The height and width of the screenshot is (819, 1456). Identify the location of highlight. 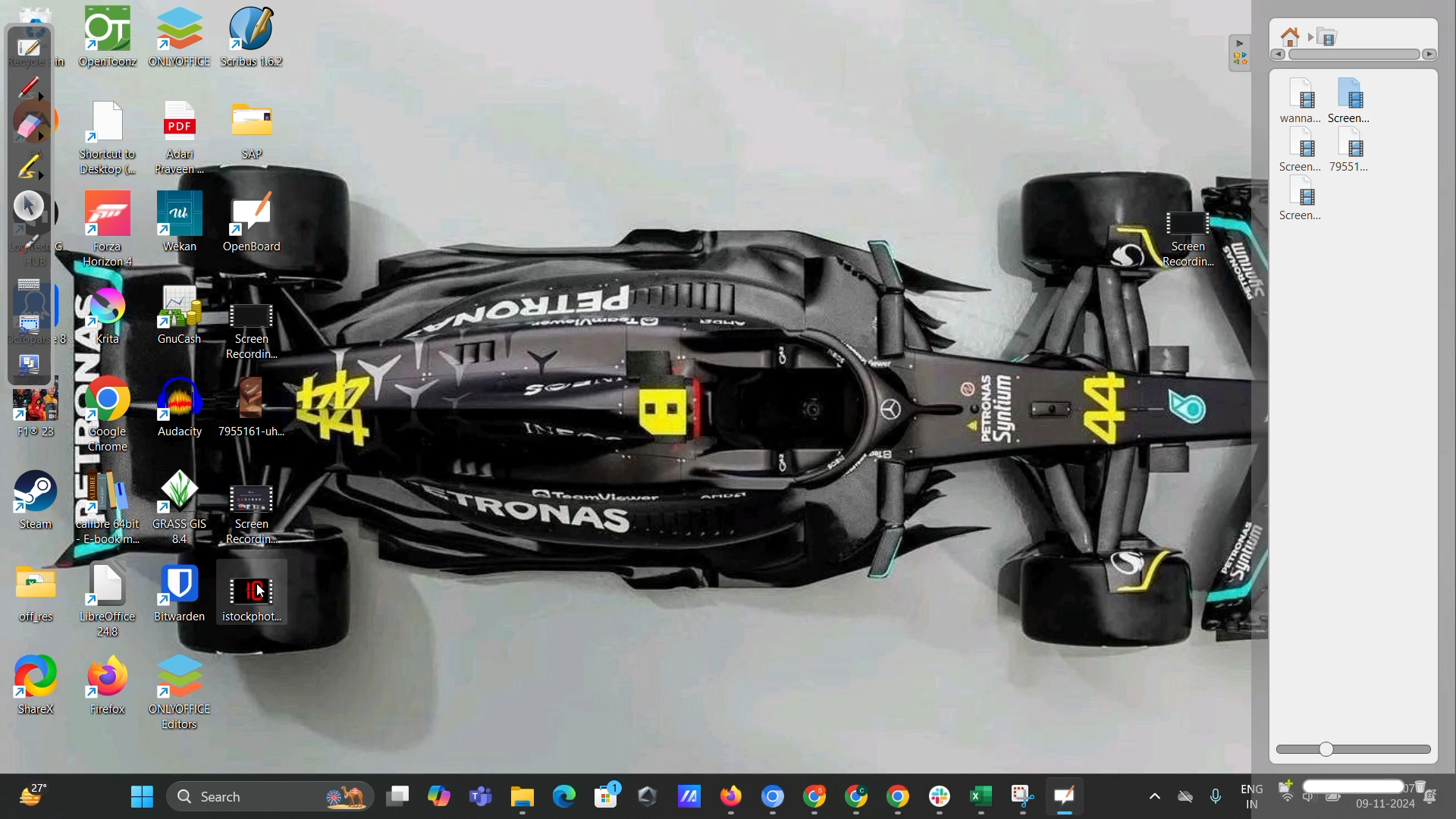
(30, 167).